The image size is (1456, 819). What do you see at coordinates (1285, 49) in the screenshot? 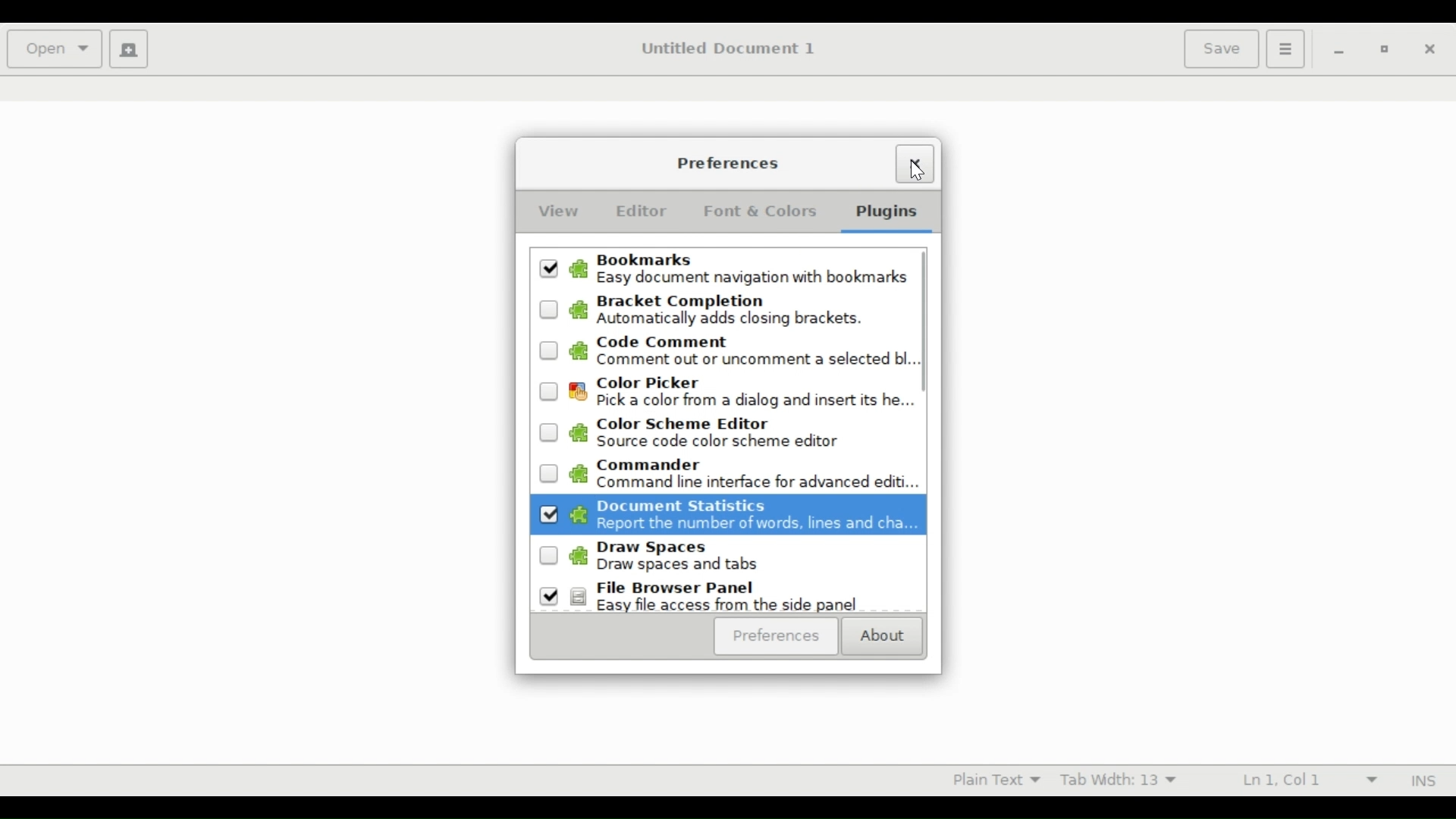
I see `Application menu` at bounding box center [1285, 49].